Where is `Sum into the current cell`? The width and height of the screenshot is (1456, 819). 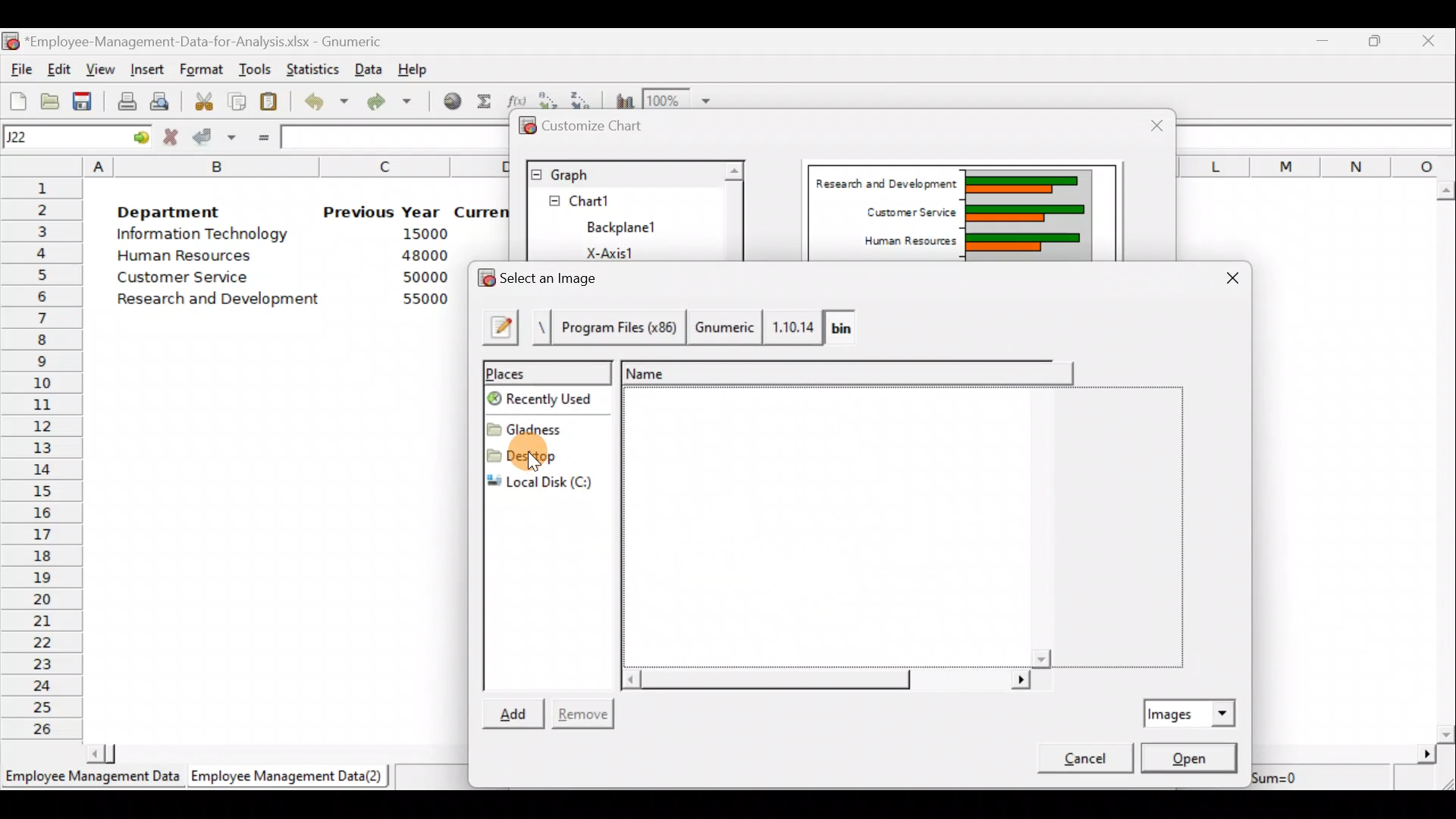
Sum into the current cell is located at coordinates (485, 105).